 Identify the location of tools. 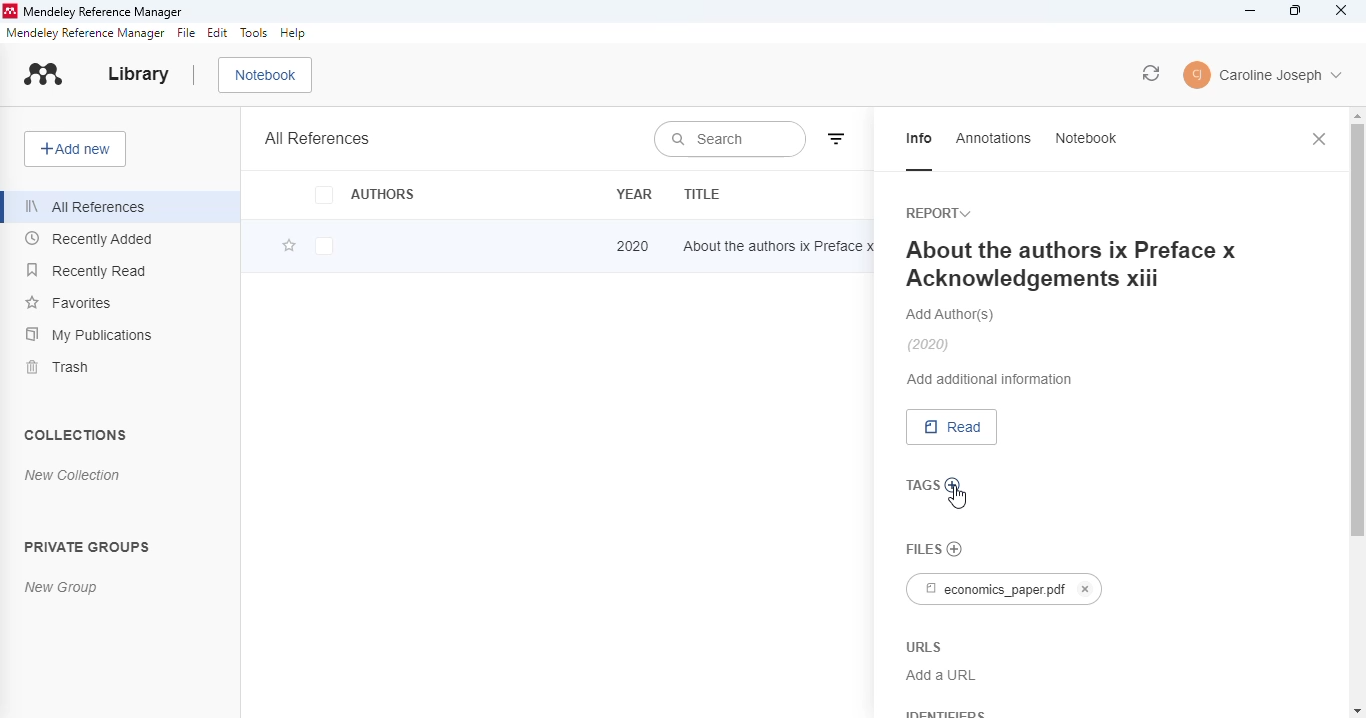
(254, 33).